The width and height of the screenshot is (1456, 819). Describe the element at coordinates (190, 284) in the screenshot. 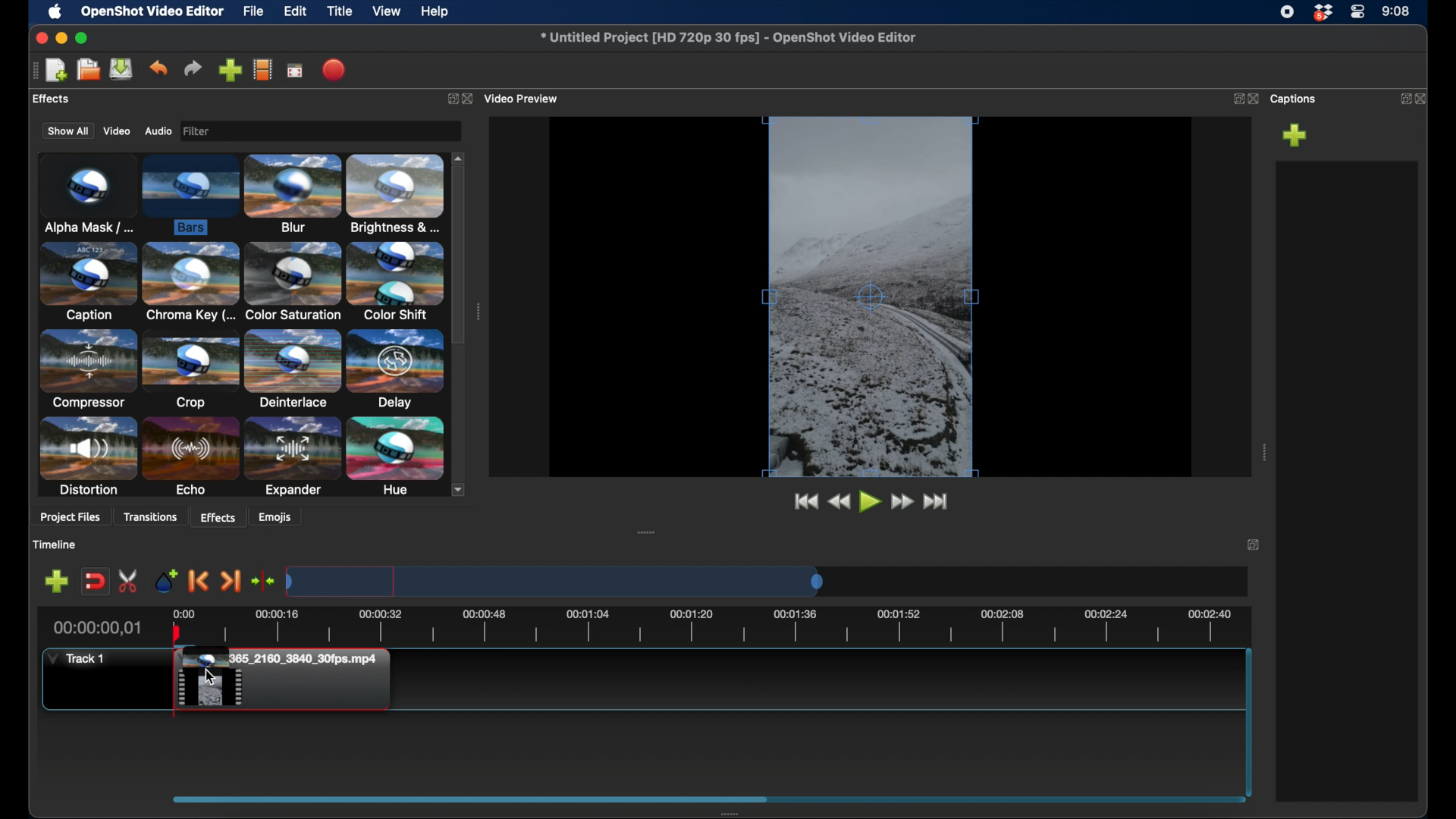

I see `chroma key` at that location.